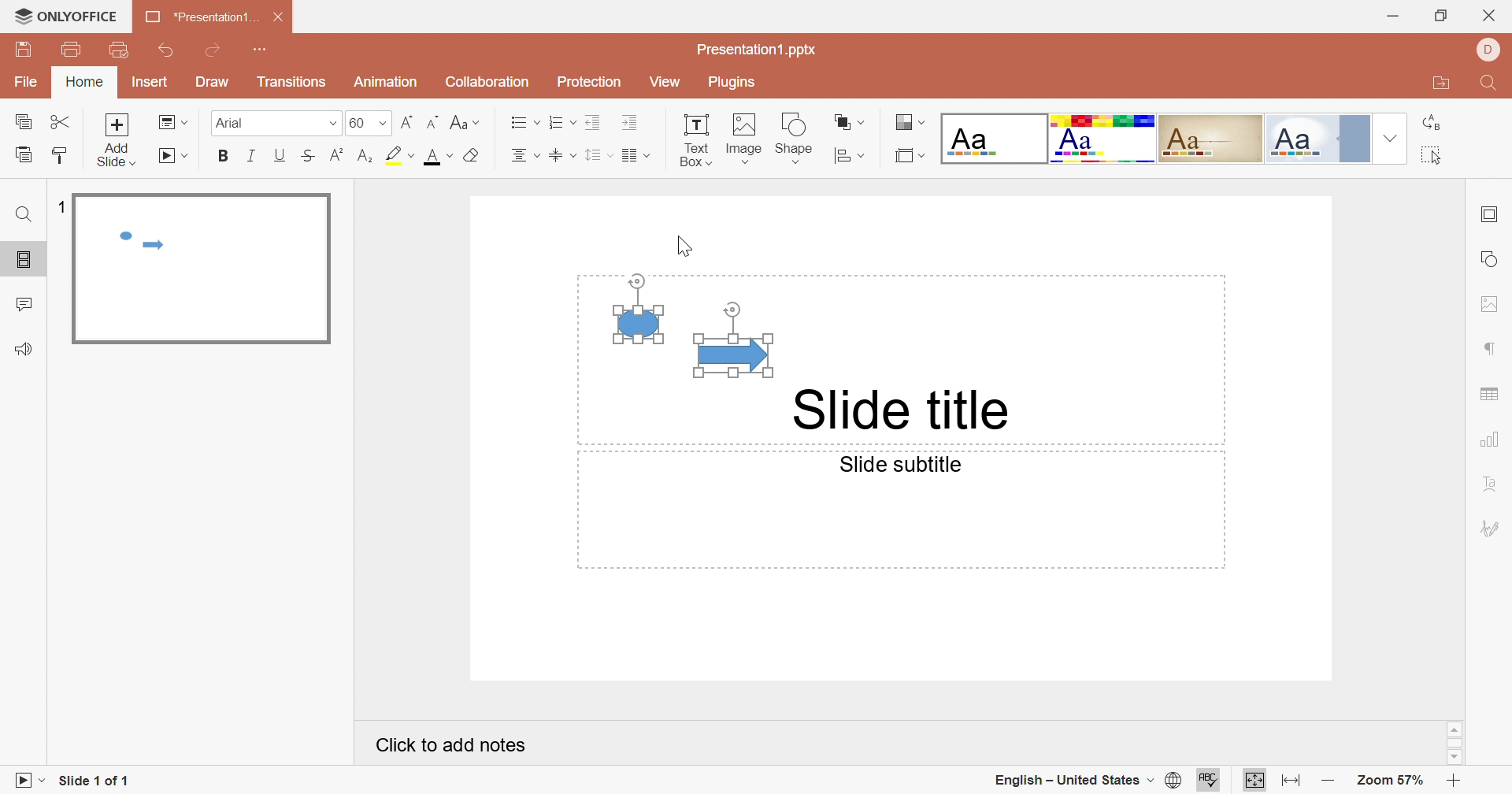 Image resolution: width=1512 pixels, height=794 pixels. Describe the element at coordinates (56, 124) in the screenshot. I see `Cut` at that location.